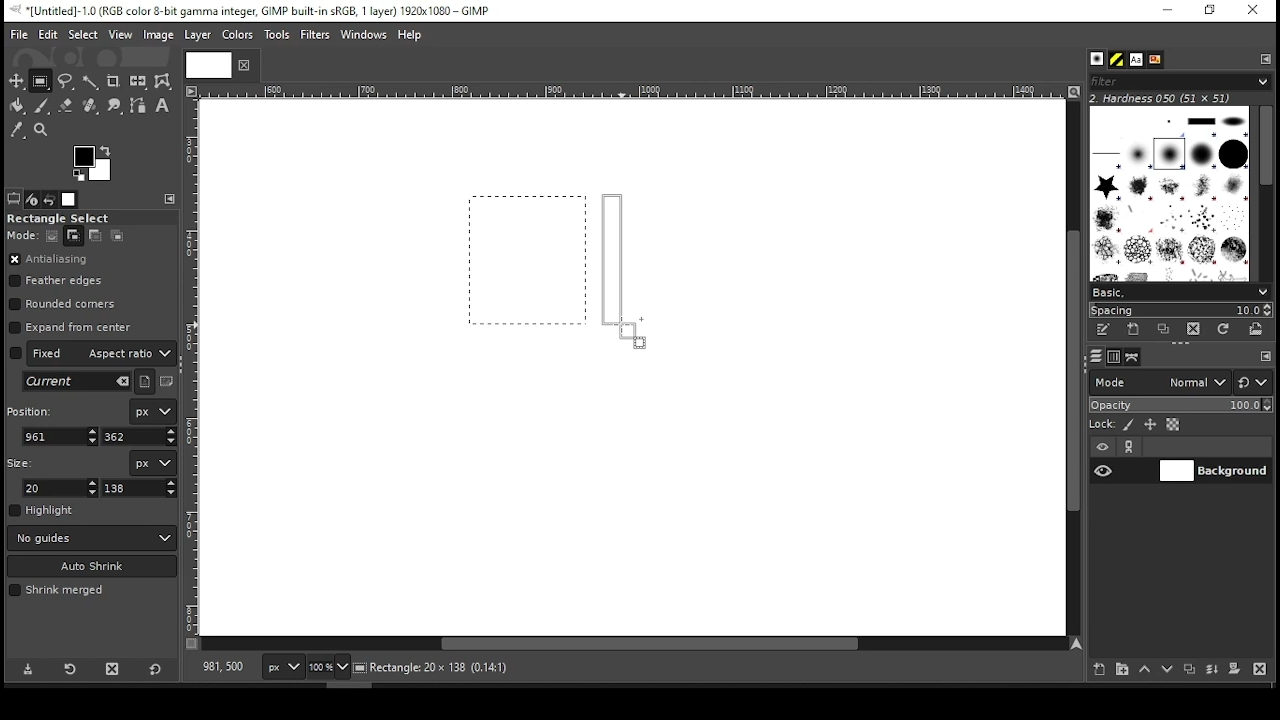 Image resolution: width=1280 pixels, height=720 pixels. Describe the element at coordinates (172, 199) in the screenshot. I see `configure this tab` at that location.